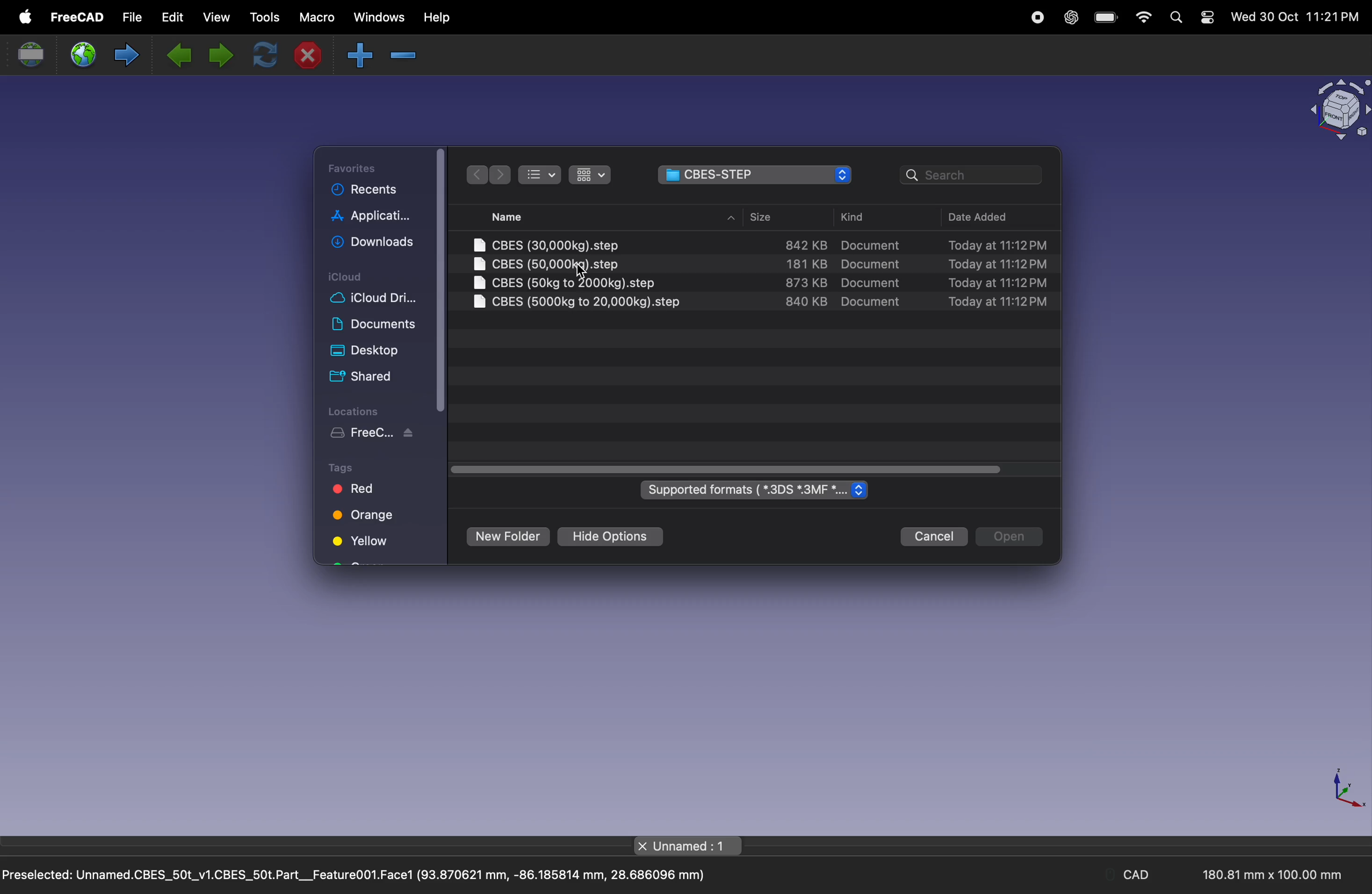  What do you see at coordinates (1068, 18) in the screenshot?
I see `chatgpt` at bounding box center [1068, 18].